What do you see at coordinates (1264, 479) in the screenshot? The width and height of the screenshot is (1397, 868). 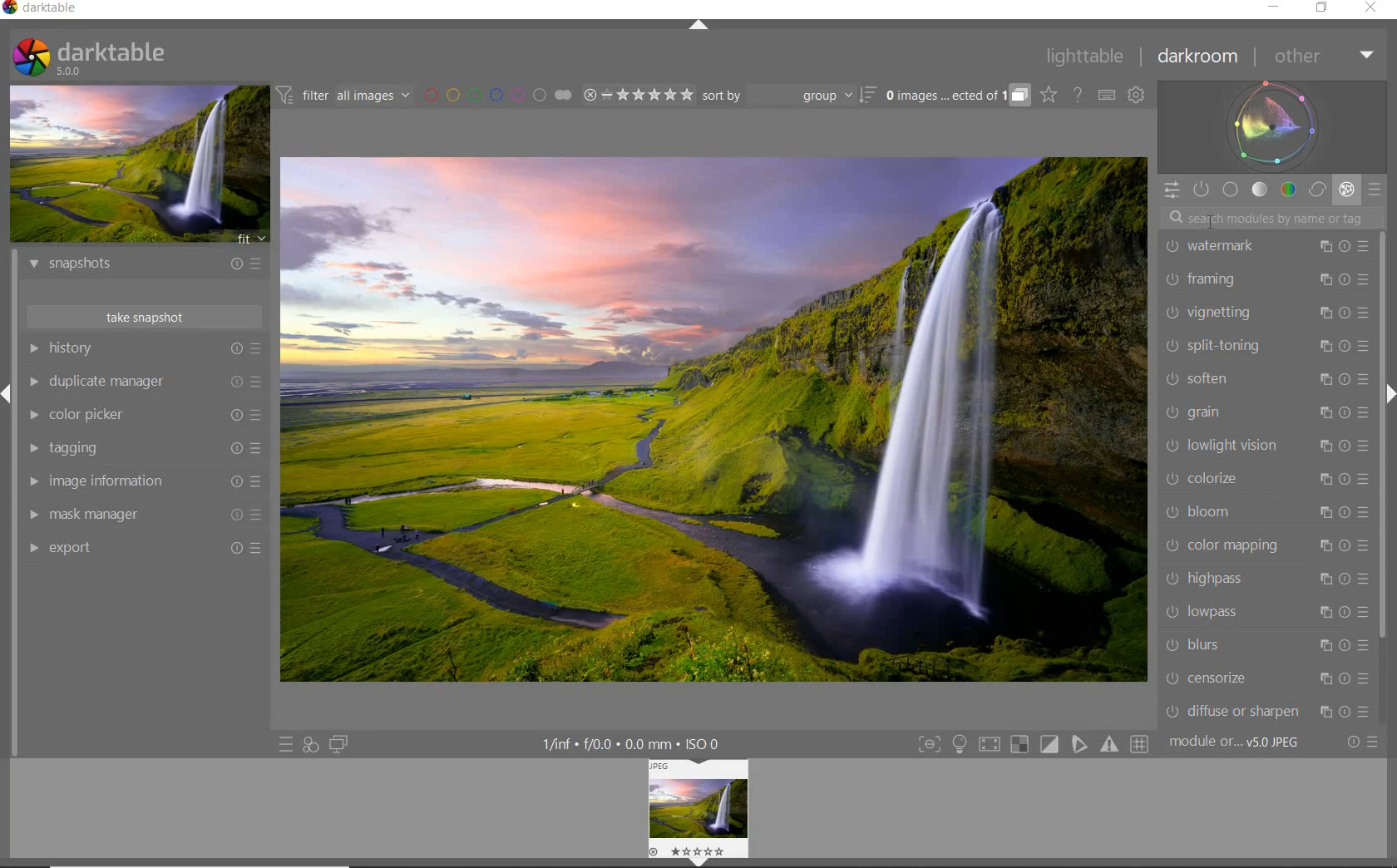 I see `colorize` at bounding box center [1264, 479].